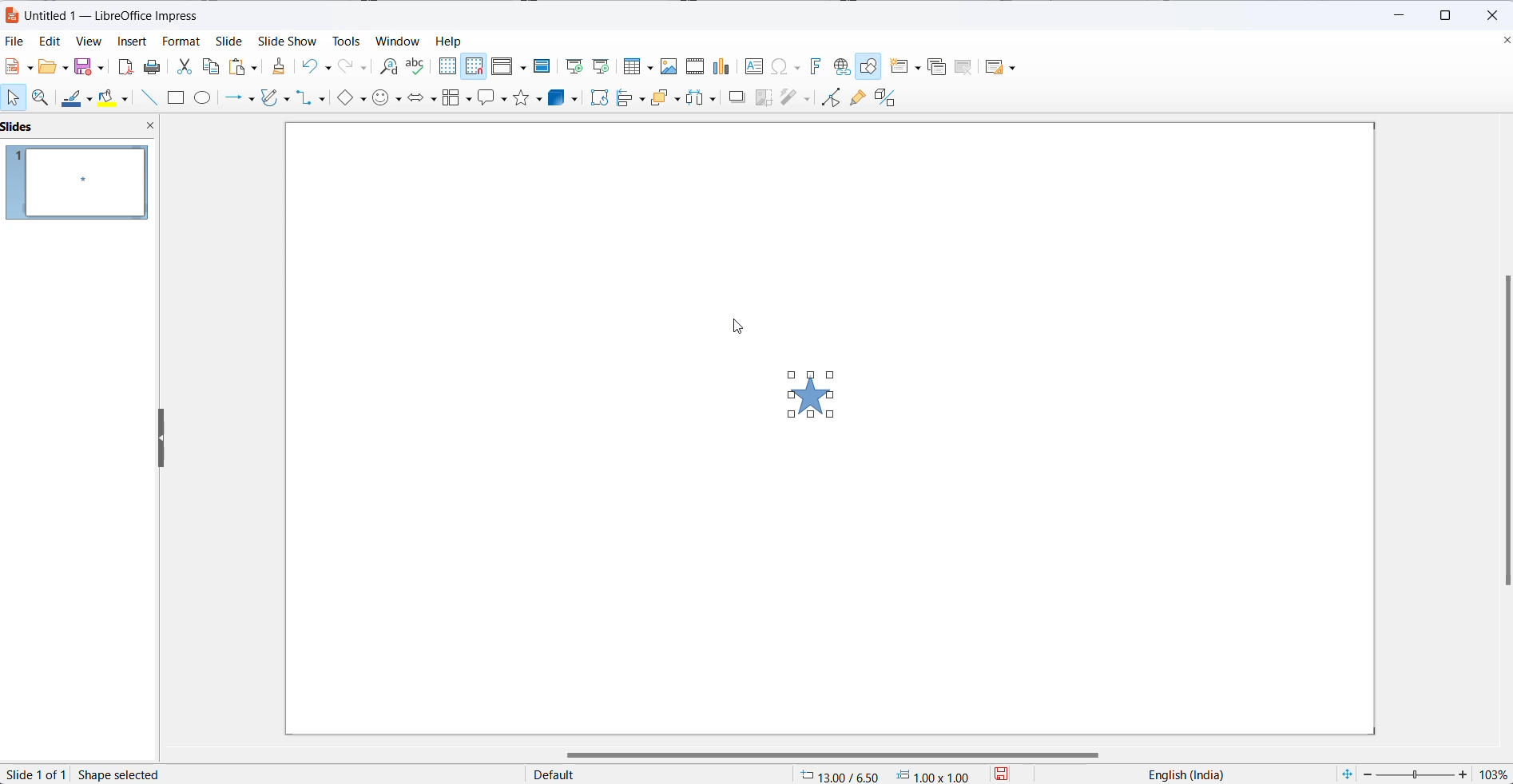 The height and width of the screenshot is (784, 1513). I want to click on NEW SLIDE, so click(907, 66).